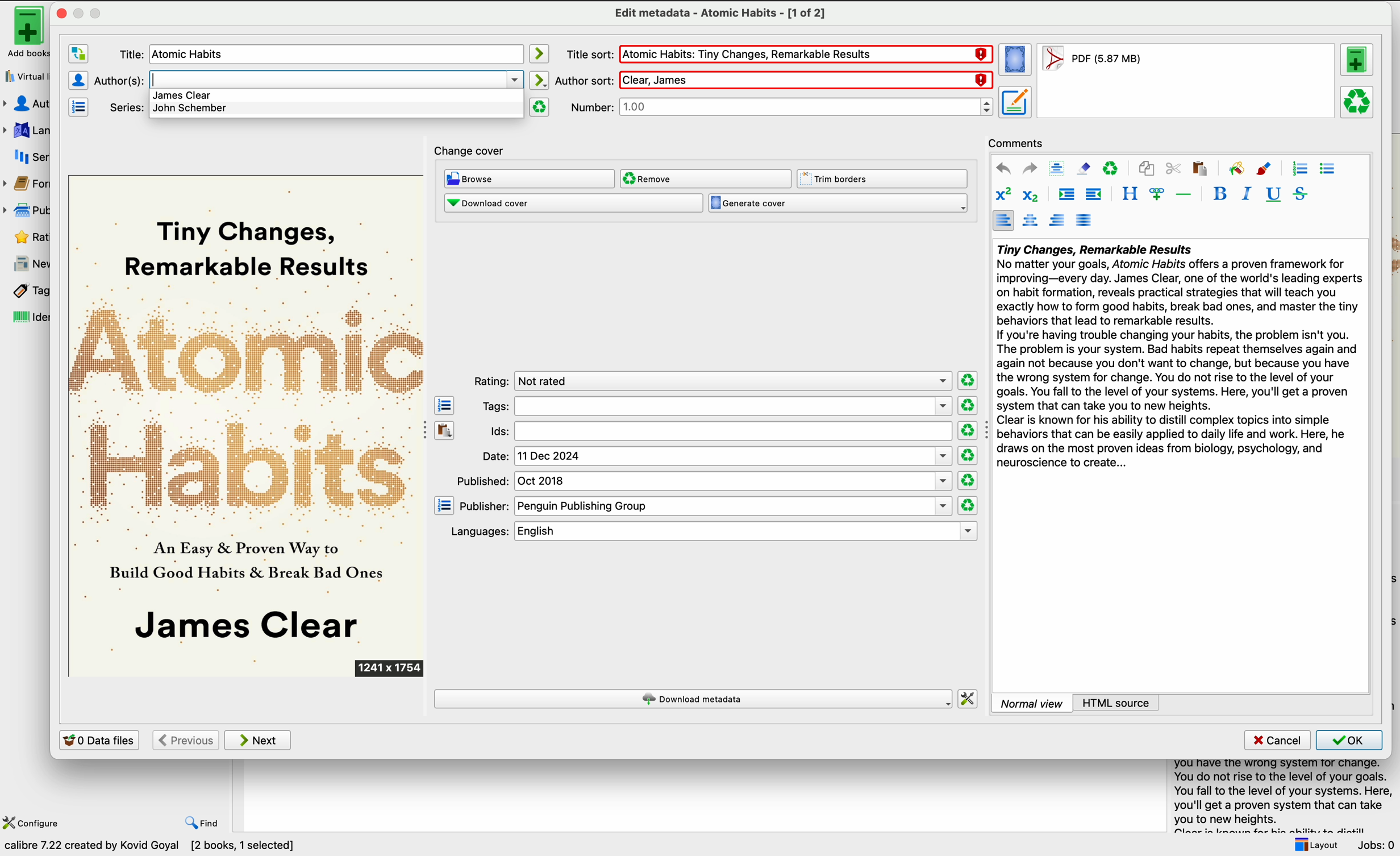 This screenshot has width=1400, height=856. I want to click on browse, so click(529, 178).